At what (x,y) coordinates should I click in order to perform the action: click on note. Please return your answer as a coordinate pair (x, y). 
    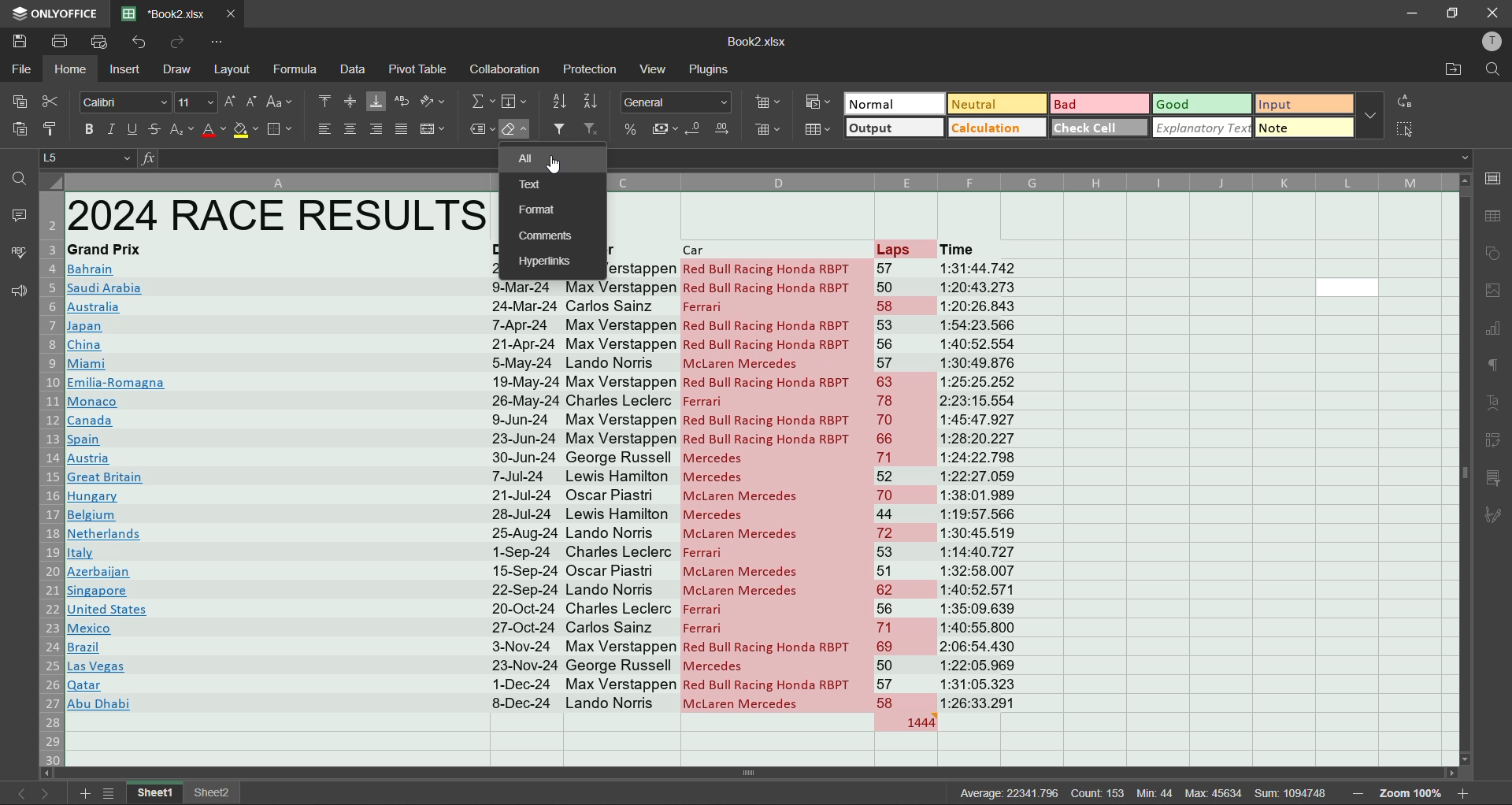
    Looking at the image, I should click on (1305, 127).